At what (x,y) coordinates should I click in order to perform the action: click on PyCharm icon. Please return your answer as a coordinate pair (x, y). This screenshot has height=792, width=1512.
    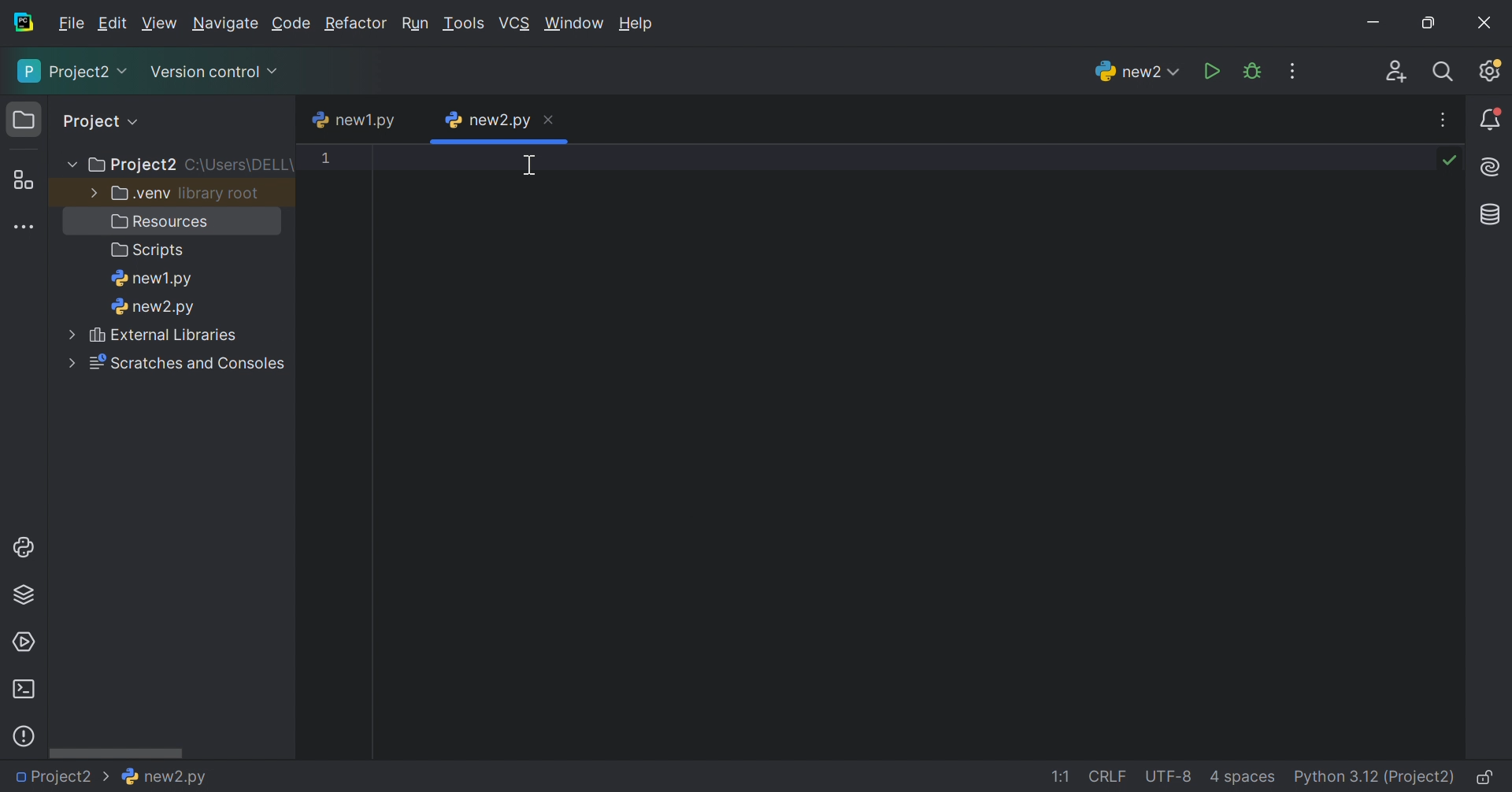
    Looking at the image, I should click on (20, 23).